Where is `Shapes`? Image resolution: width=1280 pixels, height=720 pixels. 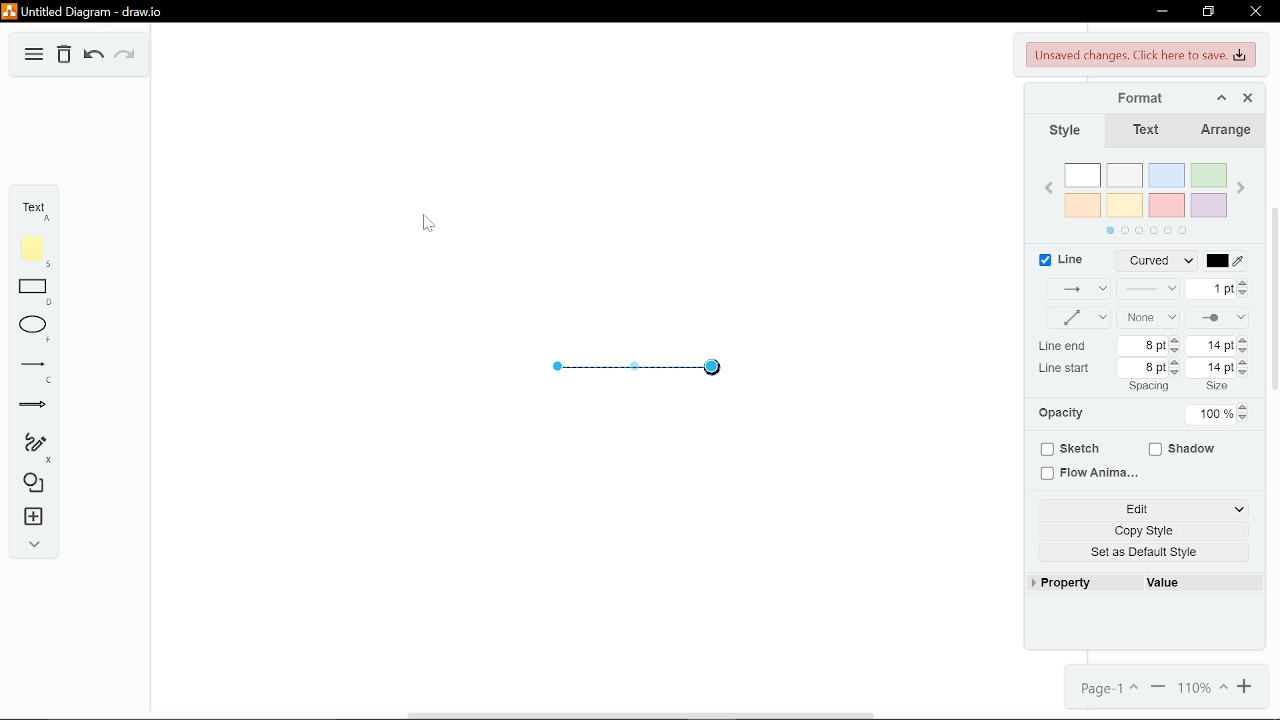
Shapes is located at coordinates (33, 485).